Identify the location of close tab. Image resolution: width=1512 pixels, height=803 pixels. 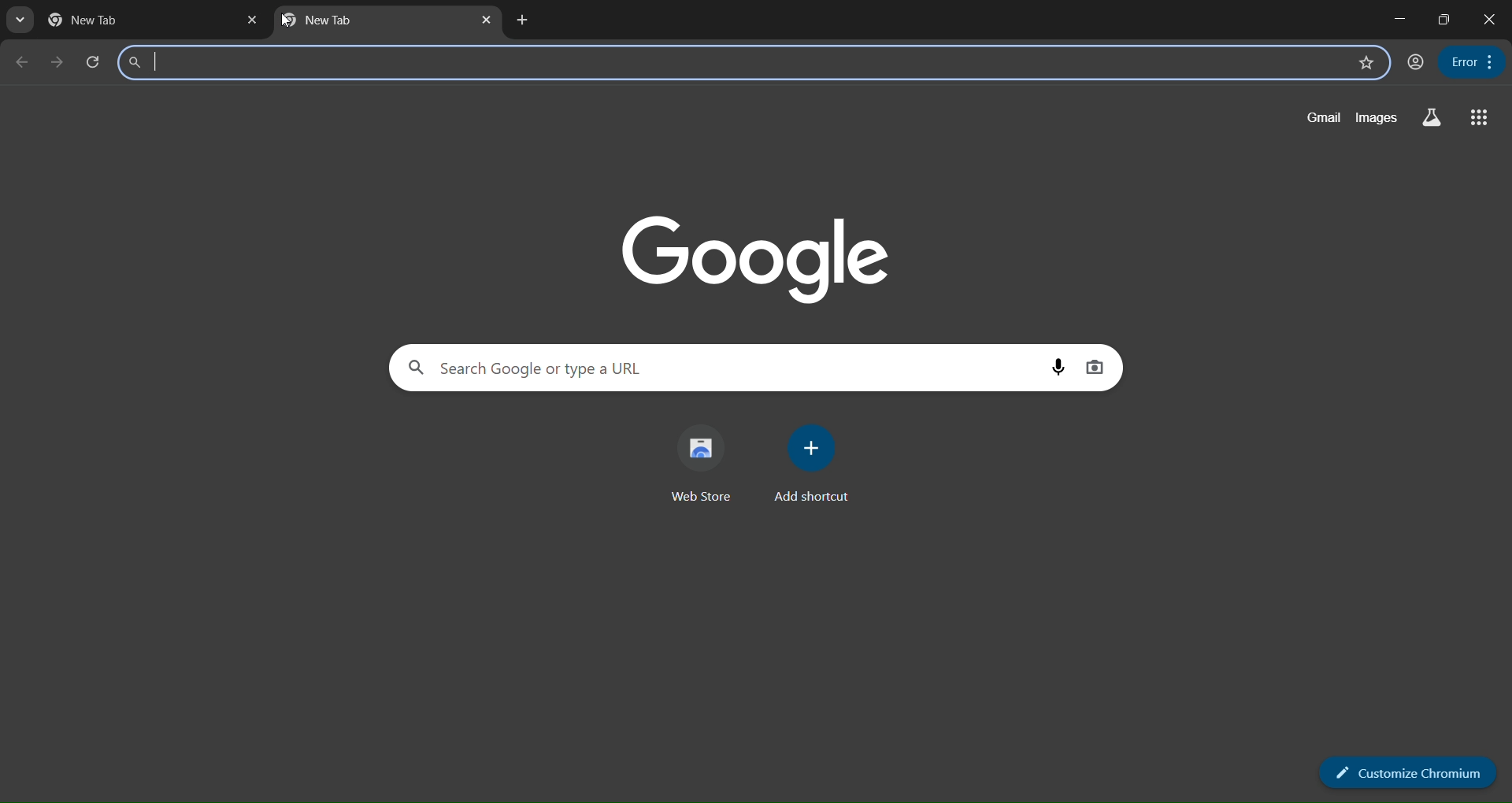
(246, 20).